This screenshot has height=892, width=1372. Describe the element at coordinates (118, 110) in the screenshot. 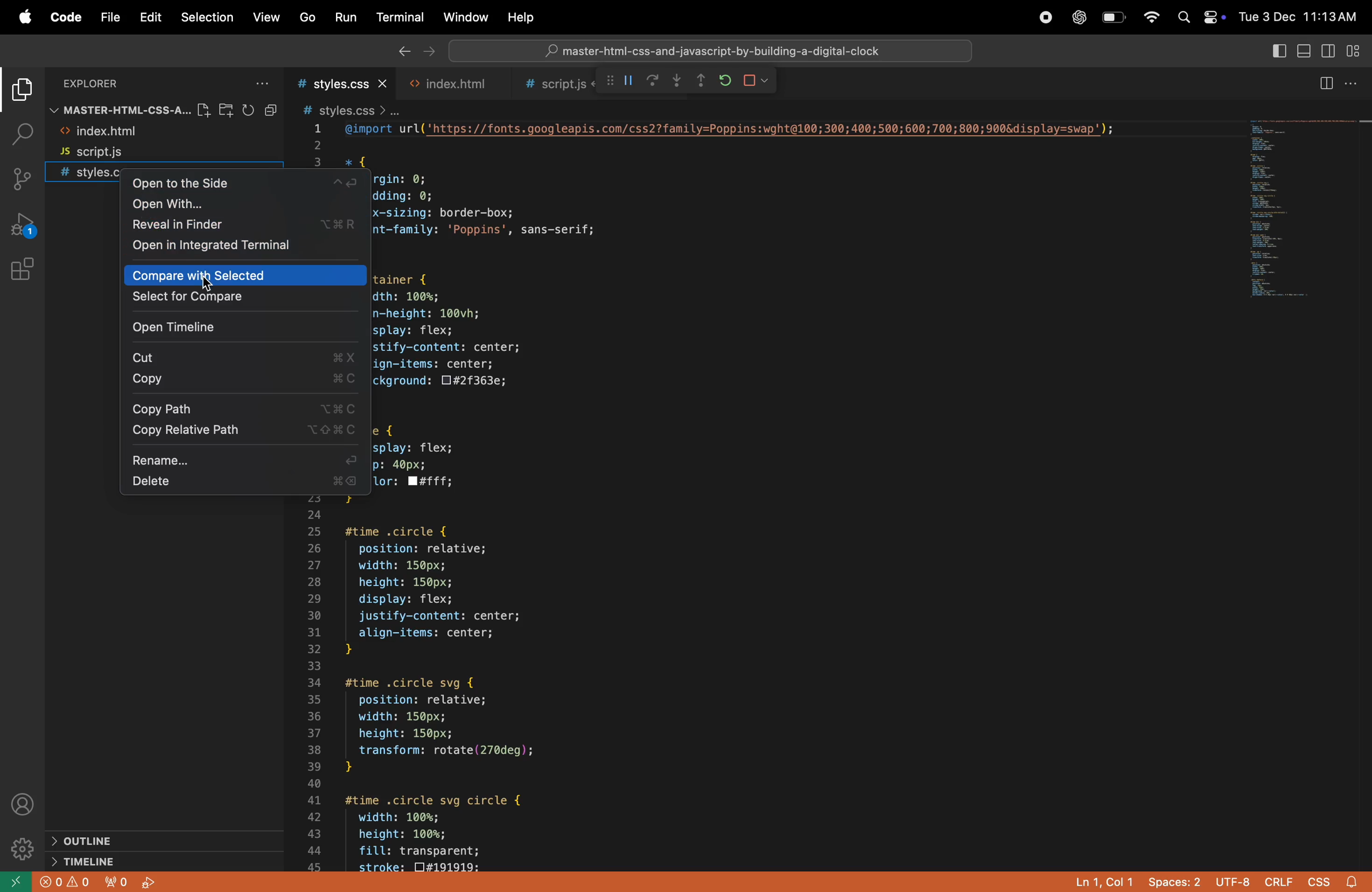

I see `master file` at that location.